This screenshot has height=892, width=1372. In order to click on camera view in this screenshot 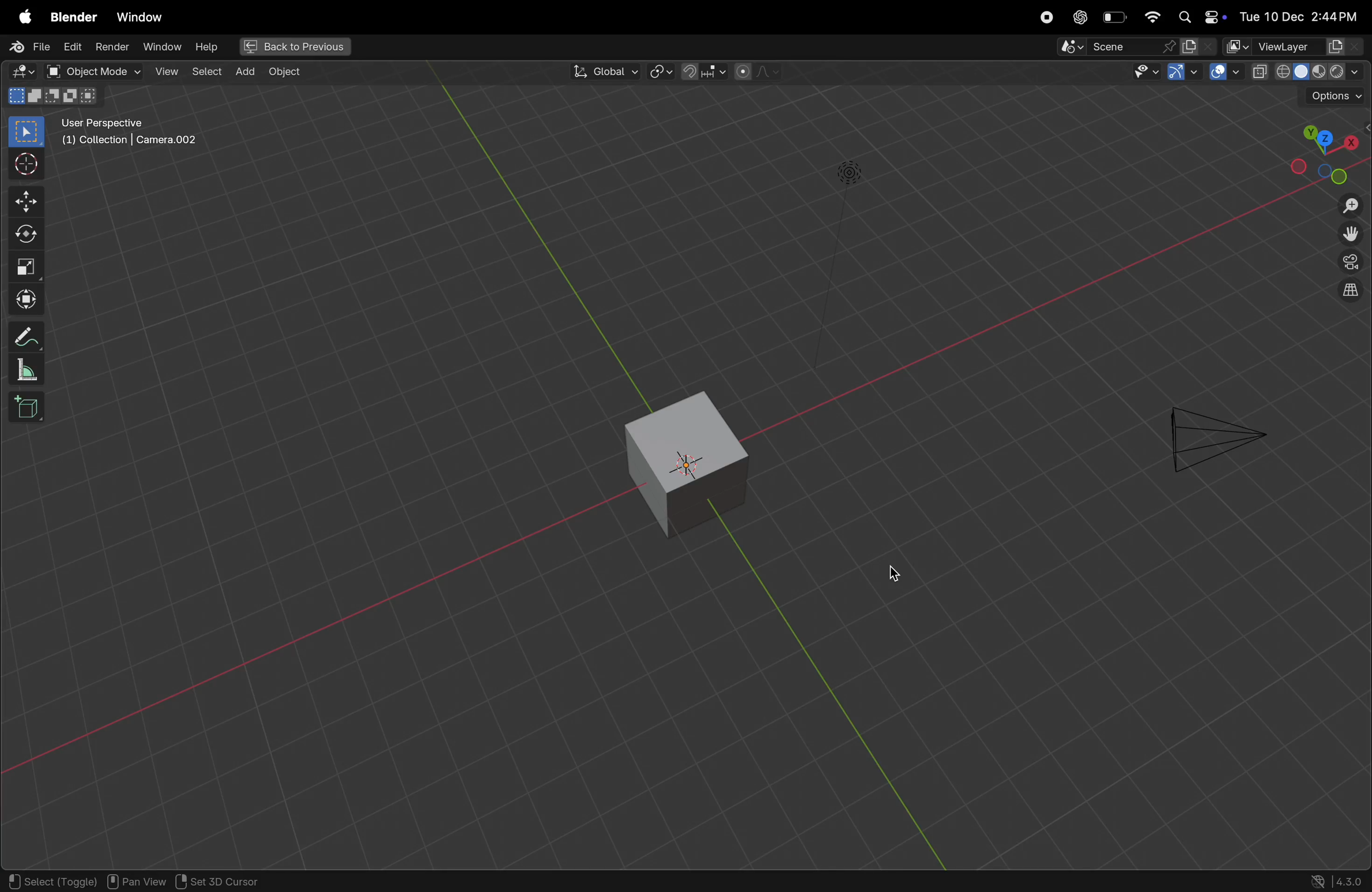, I will do `click(1349, 266)`.